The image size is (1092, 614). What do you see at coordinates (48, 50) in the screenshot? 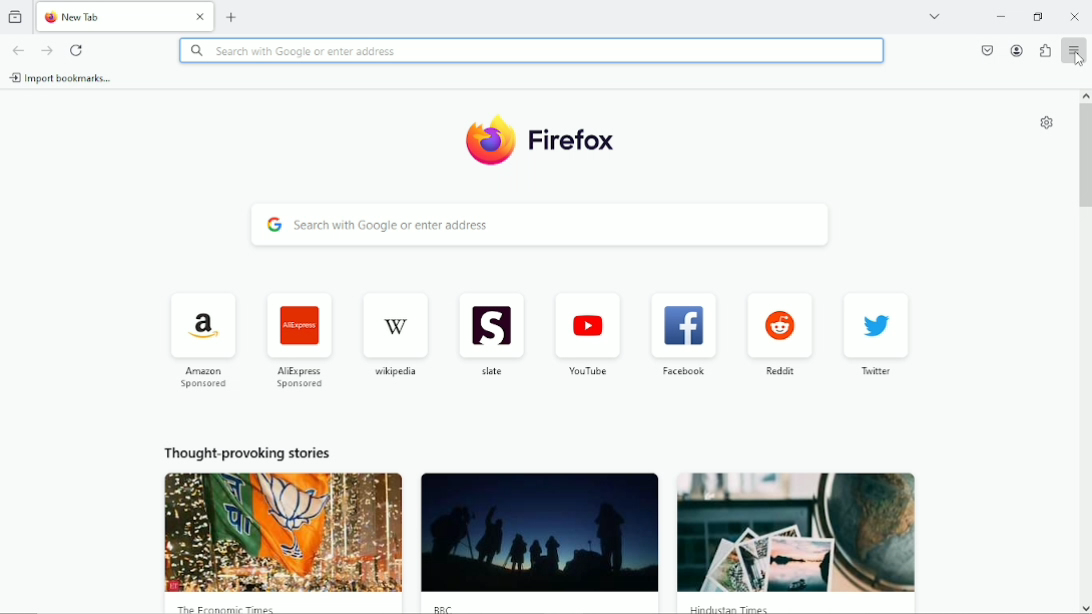
I see `Go forward` at bounding box center [48, 50].